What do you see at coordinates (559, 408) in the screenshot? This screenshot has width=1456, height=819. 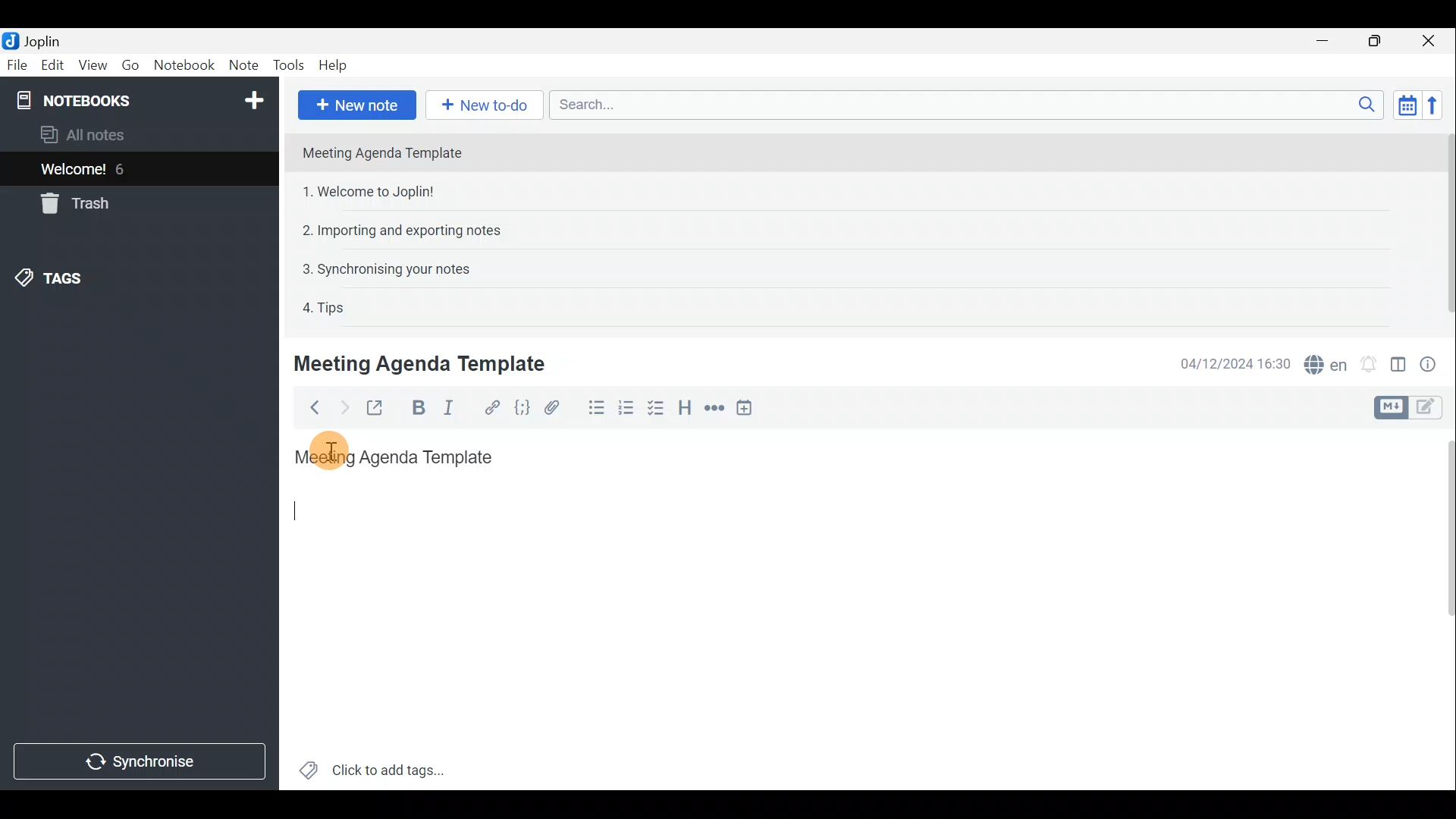 I see `Attach file` at bounding box center [559, 408].